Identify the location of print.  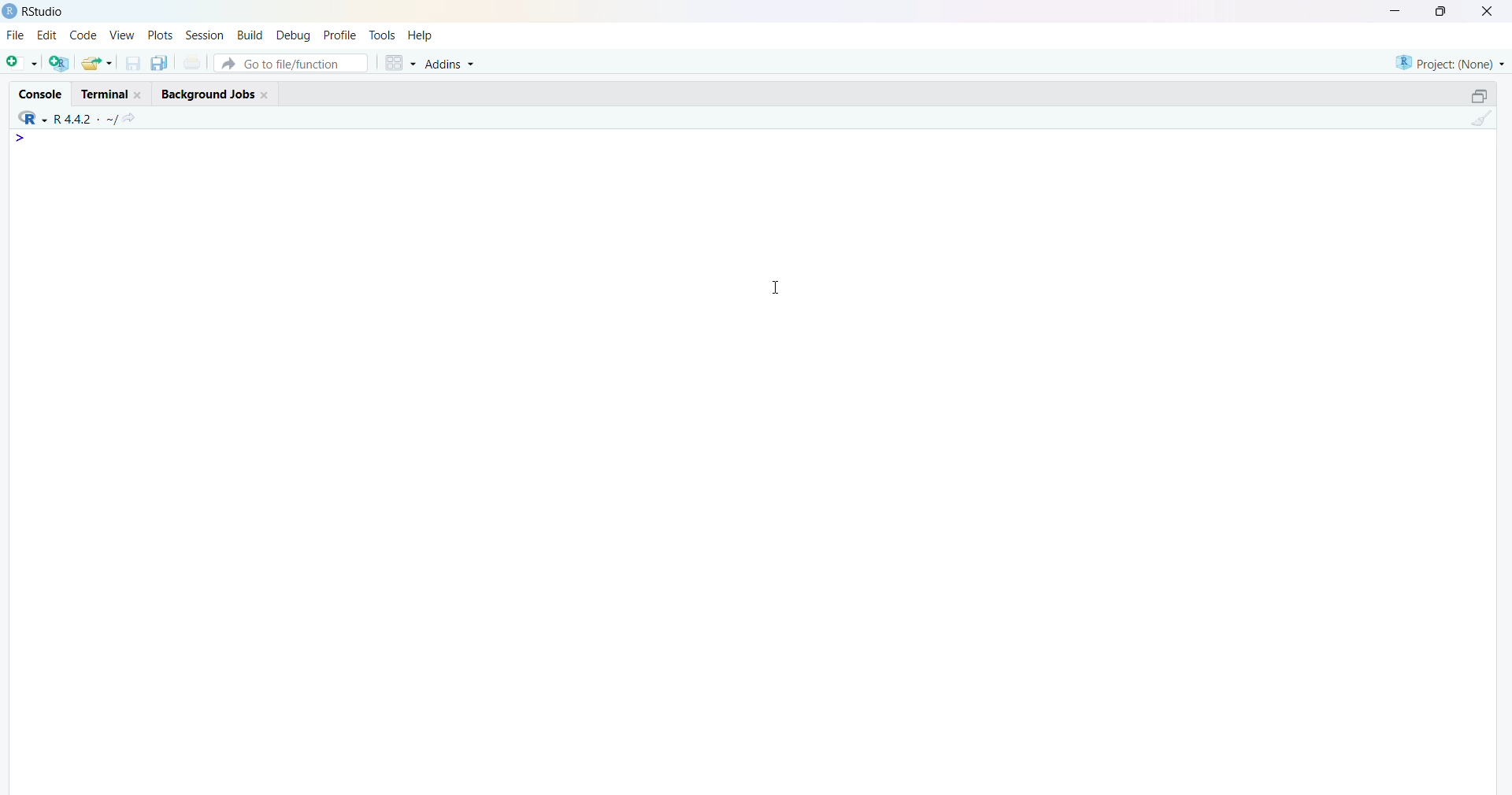
(193, 62).